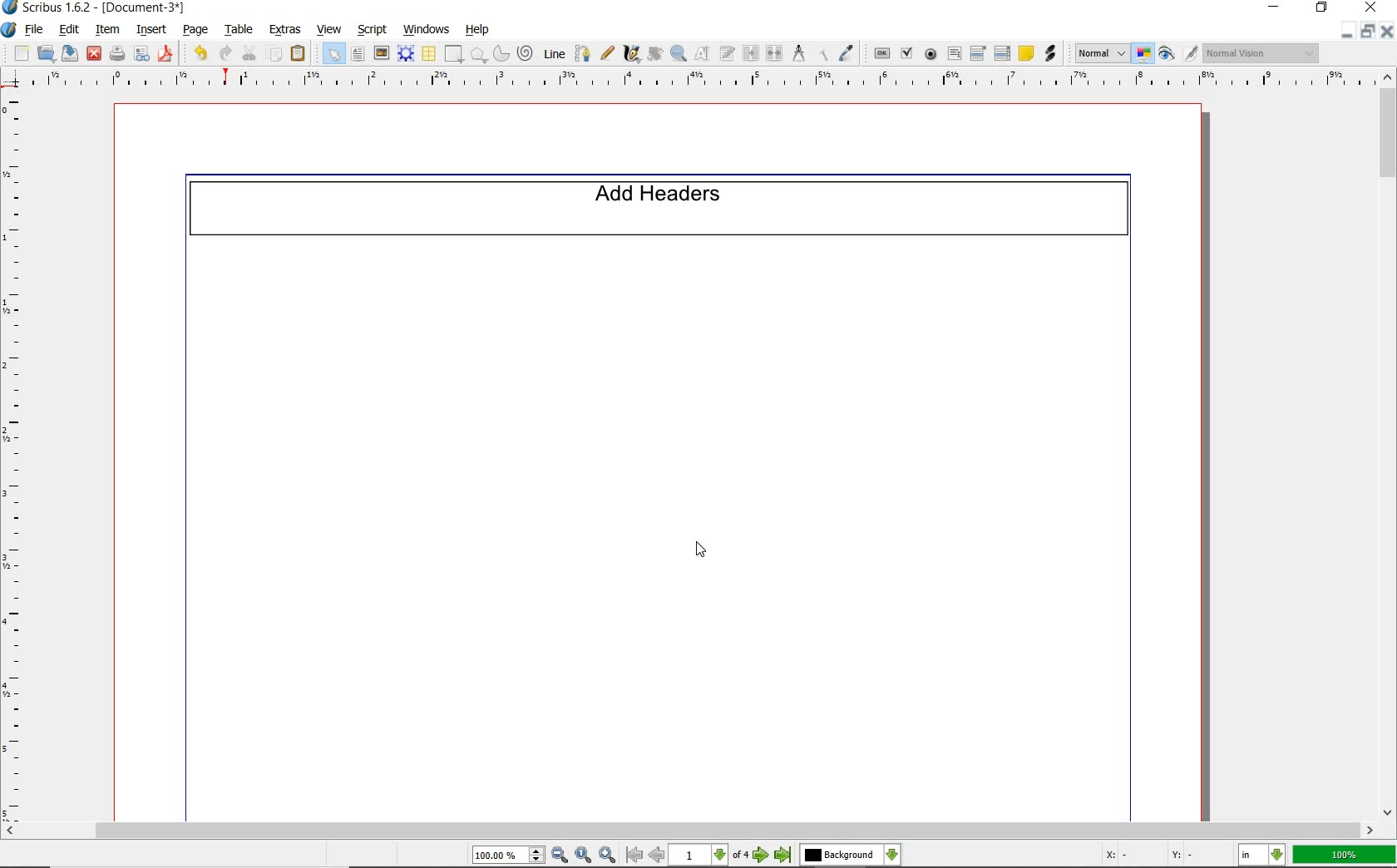 This screenshot has height=868, width=1397. What do you see at coordinates (783, 856) in the screenshot?
I see `go to last page` at bounding box center [783, 856].